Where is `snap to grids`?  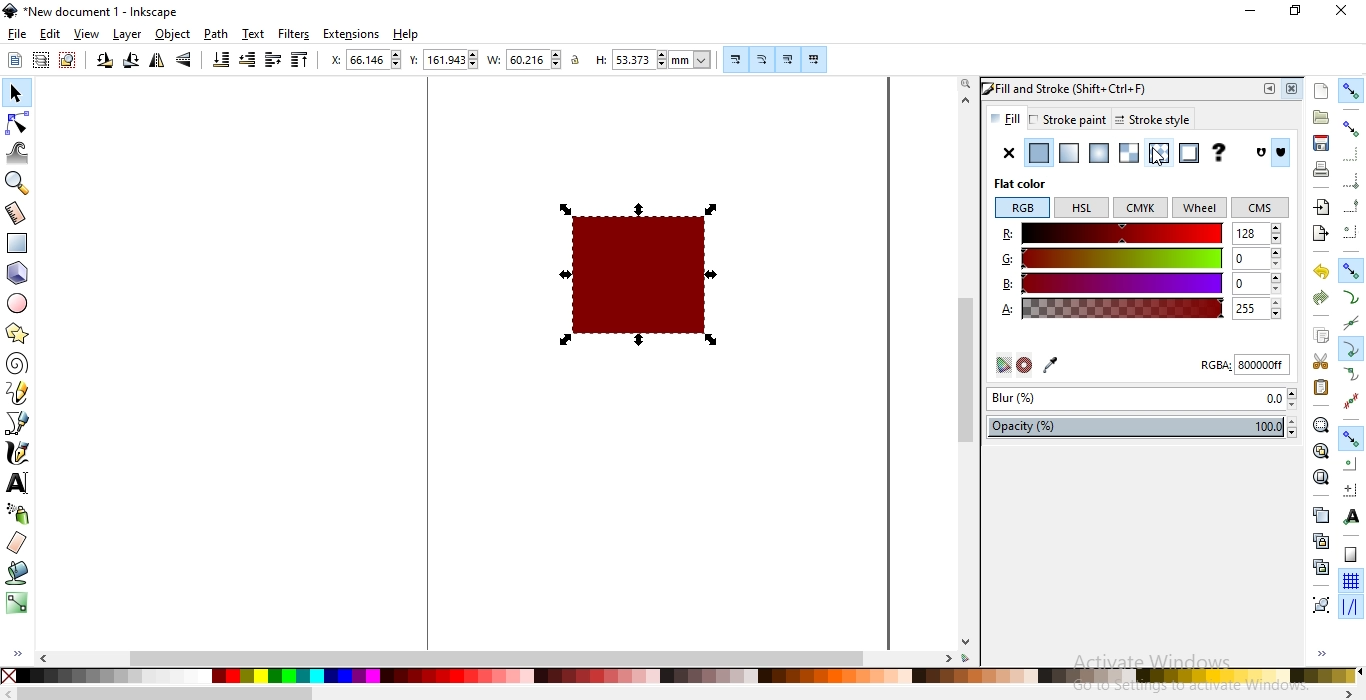 snap to grids is located at coordinates (1350, 582).